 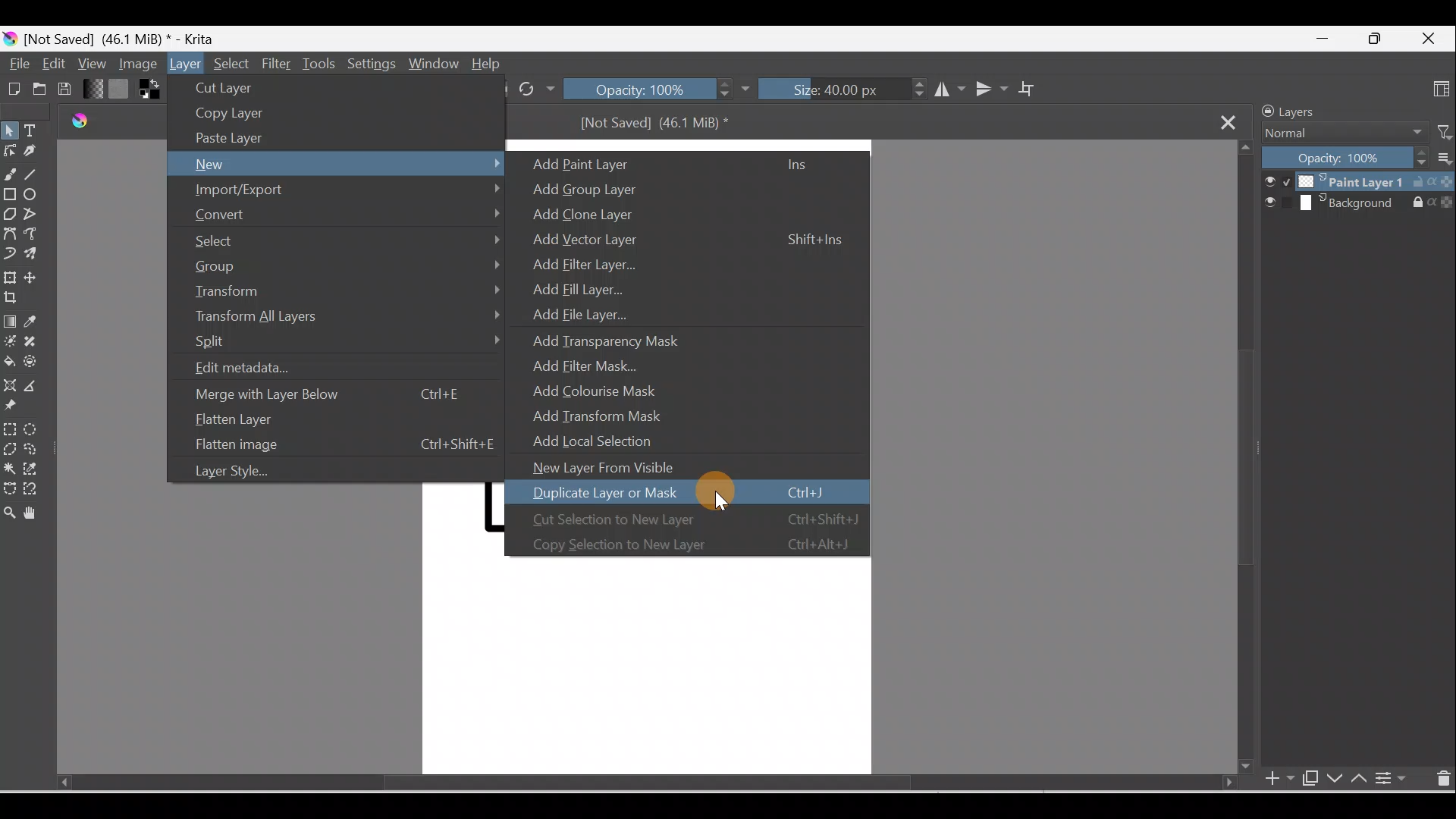 What do you see at coordinates (1265, 111) in the screenshot?
I see `lock/unlock docker` at bounding box center [1265, 111].